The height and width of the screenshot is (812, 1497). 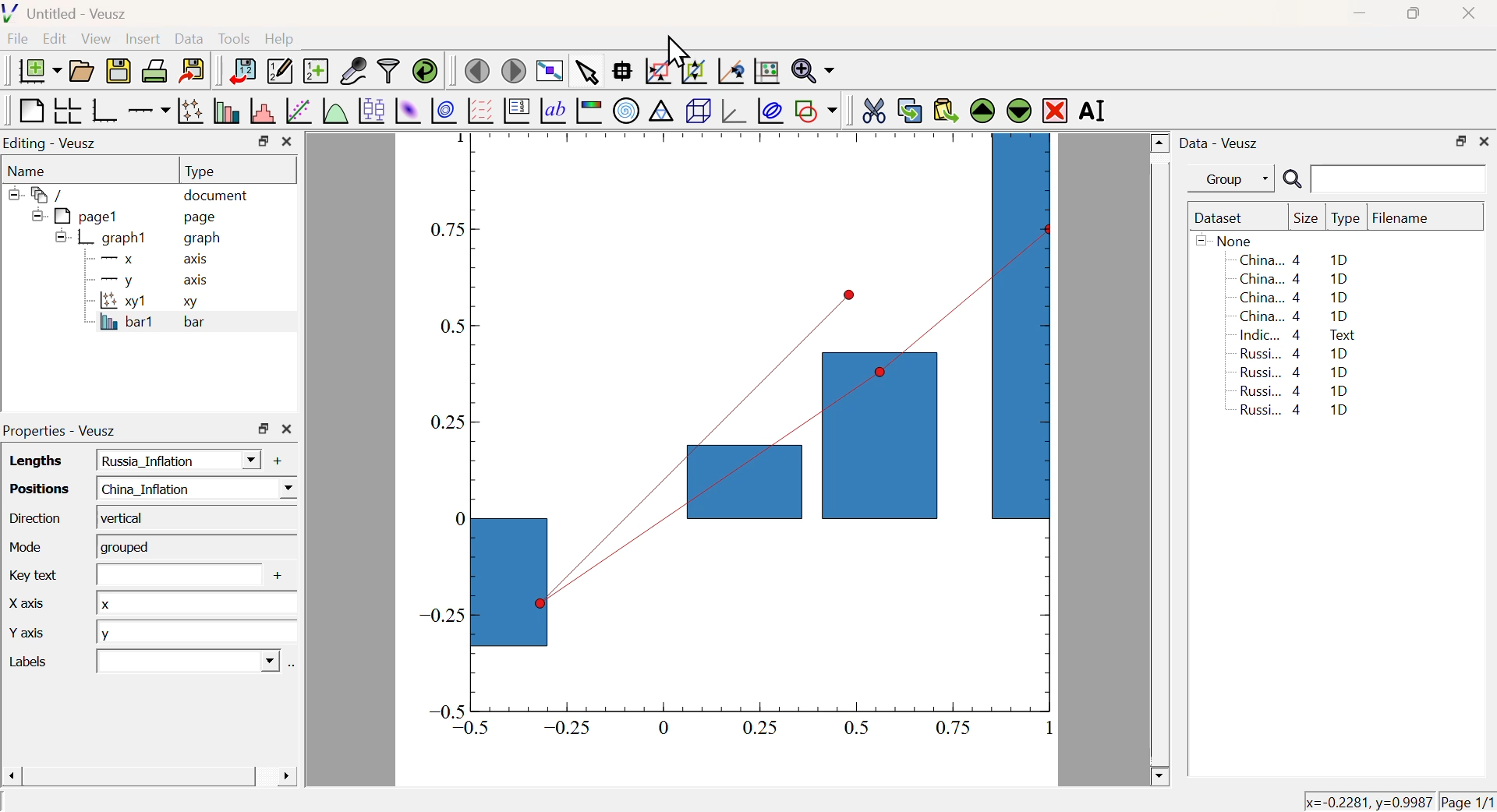 What do you see at coordinates (170, 461) in the screenshot?
I see `y` at bounding box center [170, 461].